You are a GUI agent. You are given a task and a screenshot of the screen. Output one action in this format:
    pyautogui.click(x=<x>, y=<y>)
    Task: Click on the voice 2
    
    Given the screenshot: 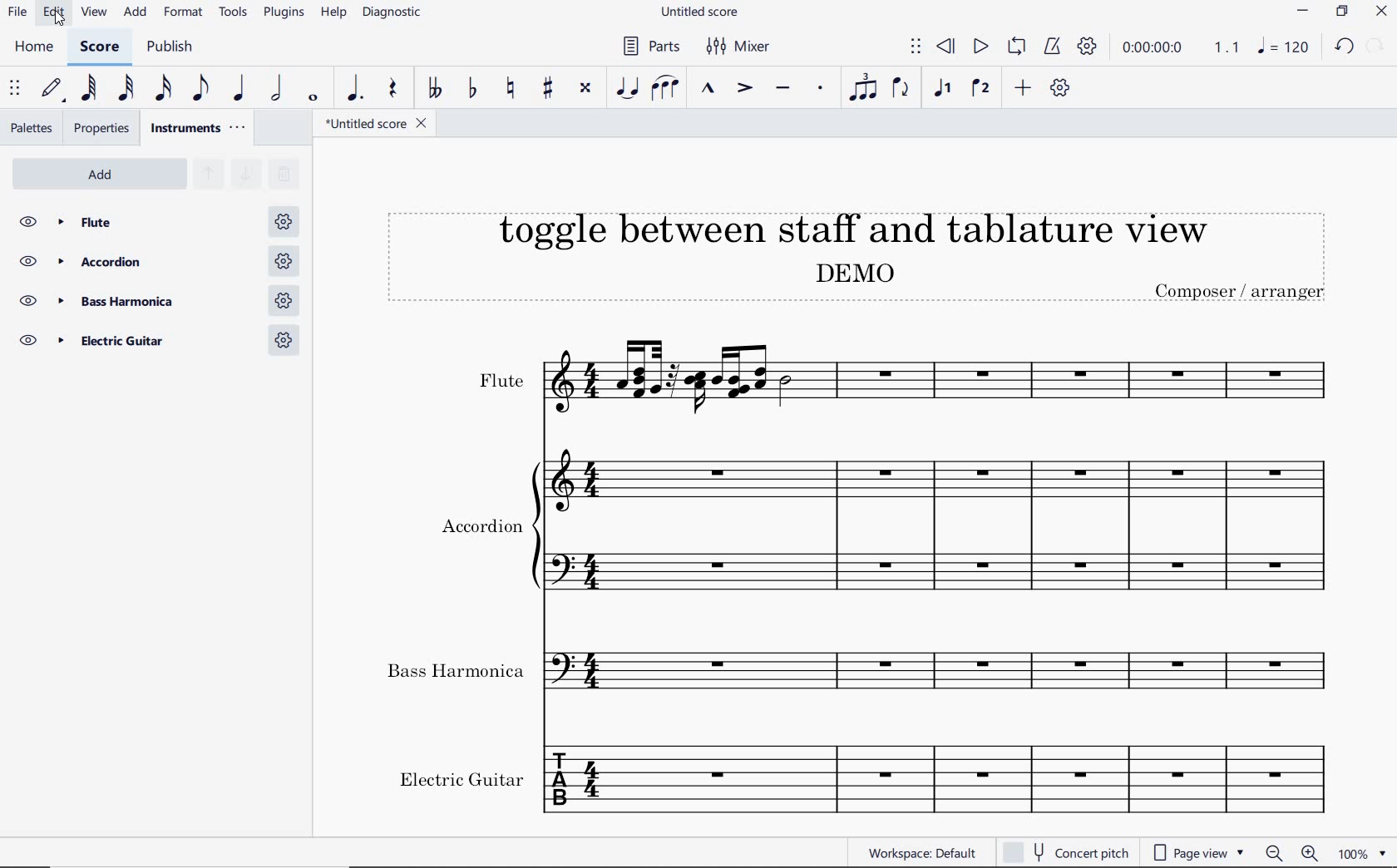 What is the action you would take?
    pyautogui.click(x=982, y=88)
    